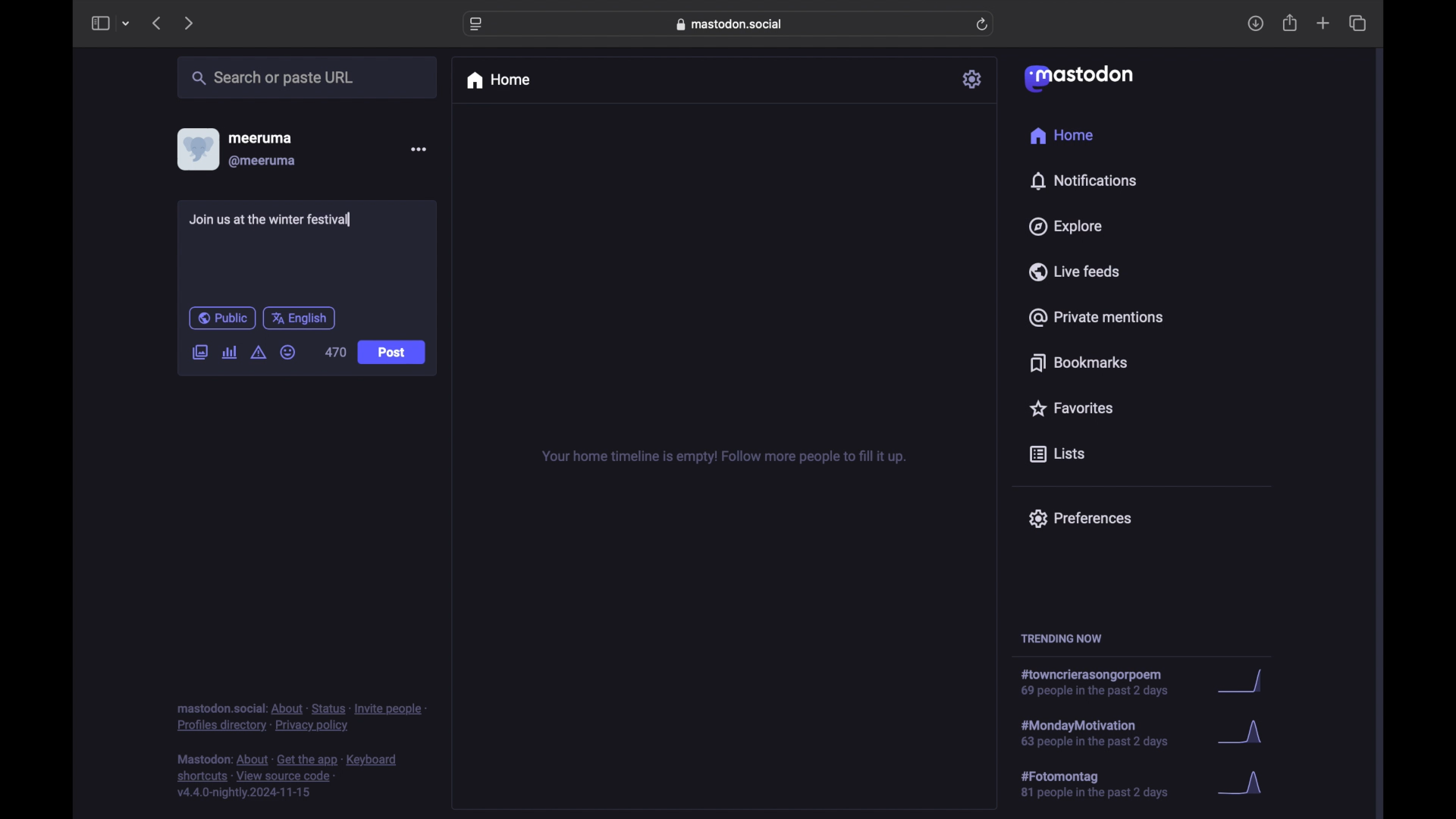 This screenshot has width=1456, height=819. I want to click on graph, so click(1244, 682).